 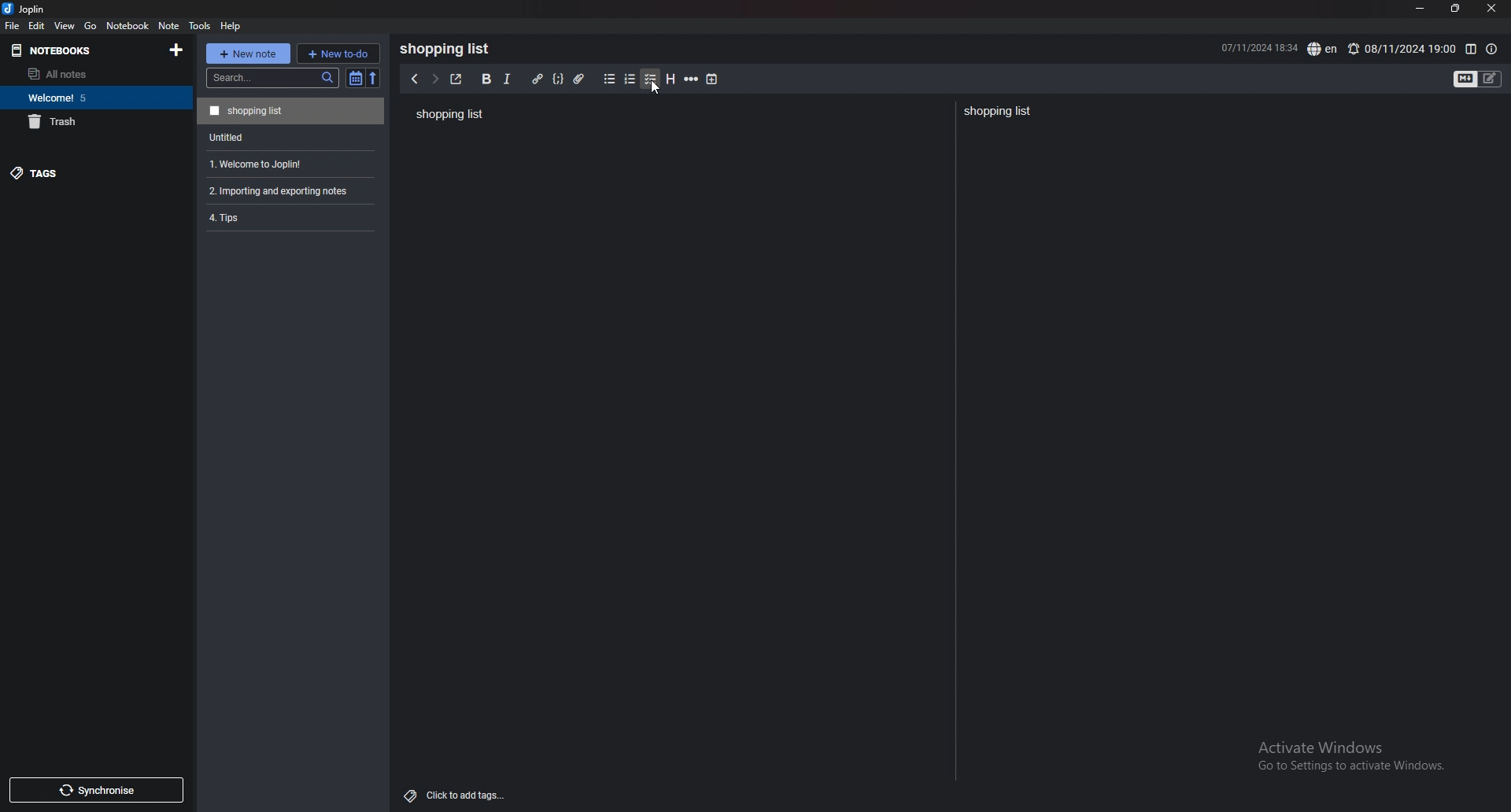 What do you see at coordinates (1491, 50) in the screenshot?
I see `note properties` at bounding box center [1491, 50].